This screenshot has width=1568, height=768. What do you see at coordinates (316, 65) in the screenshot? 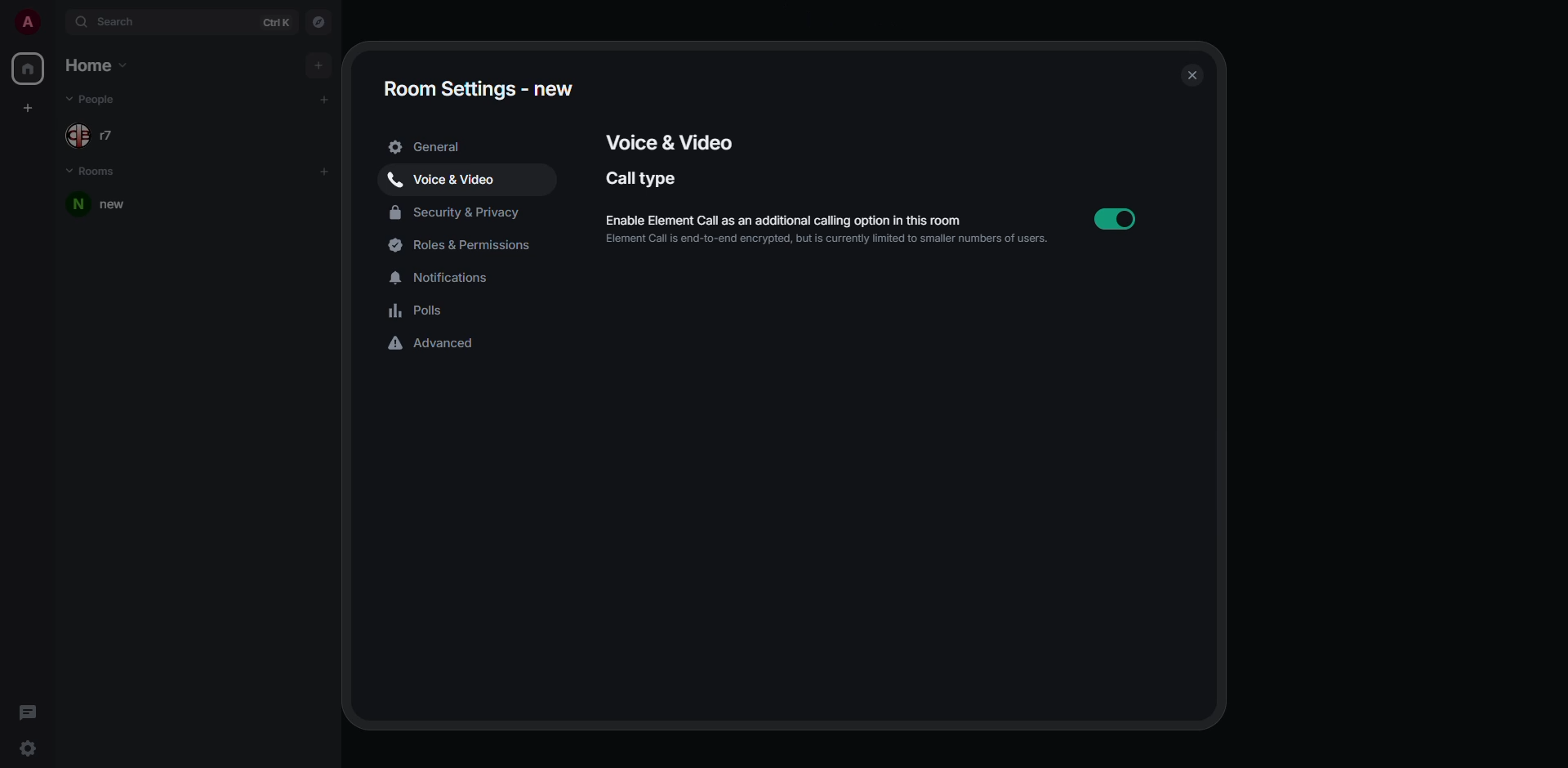
I see `add` at bounding box center [316, 65].